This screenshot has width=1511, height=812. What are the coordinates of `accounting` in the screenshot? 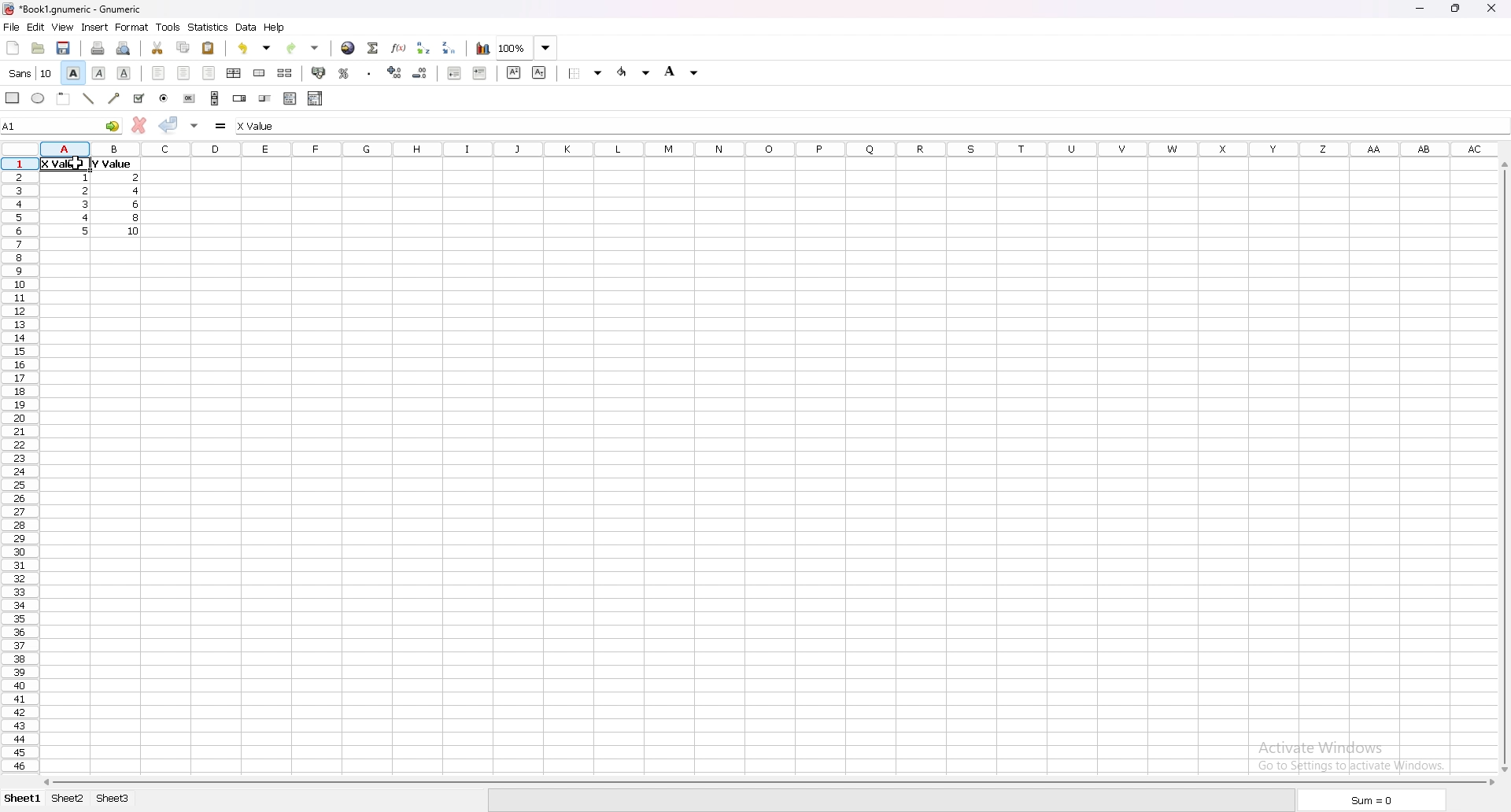 It's located at (320, 72).